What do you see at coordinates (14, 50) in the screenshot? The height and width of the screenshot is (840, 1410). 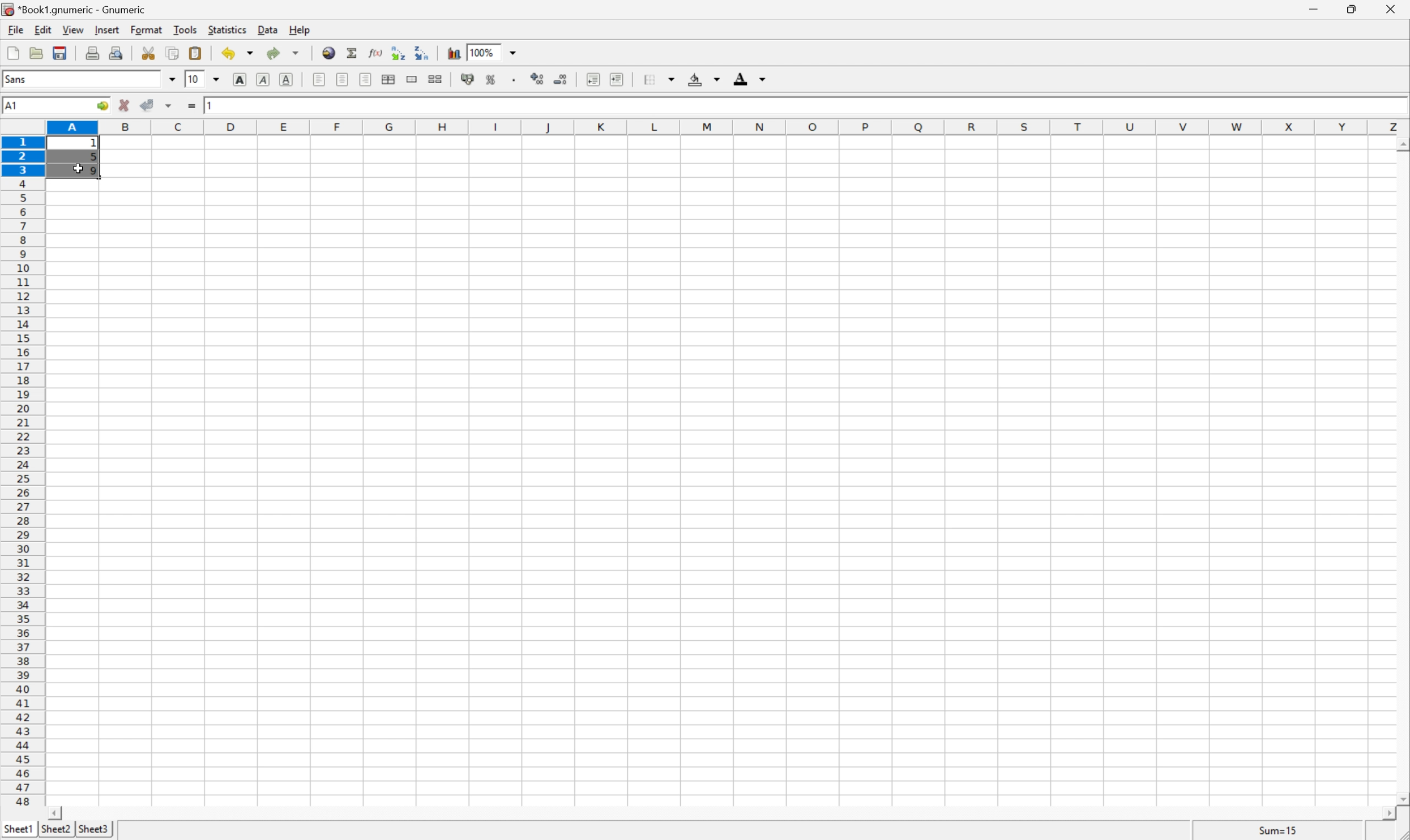 I see `new` at bounding box center [14, 50].